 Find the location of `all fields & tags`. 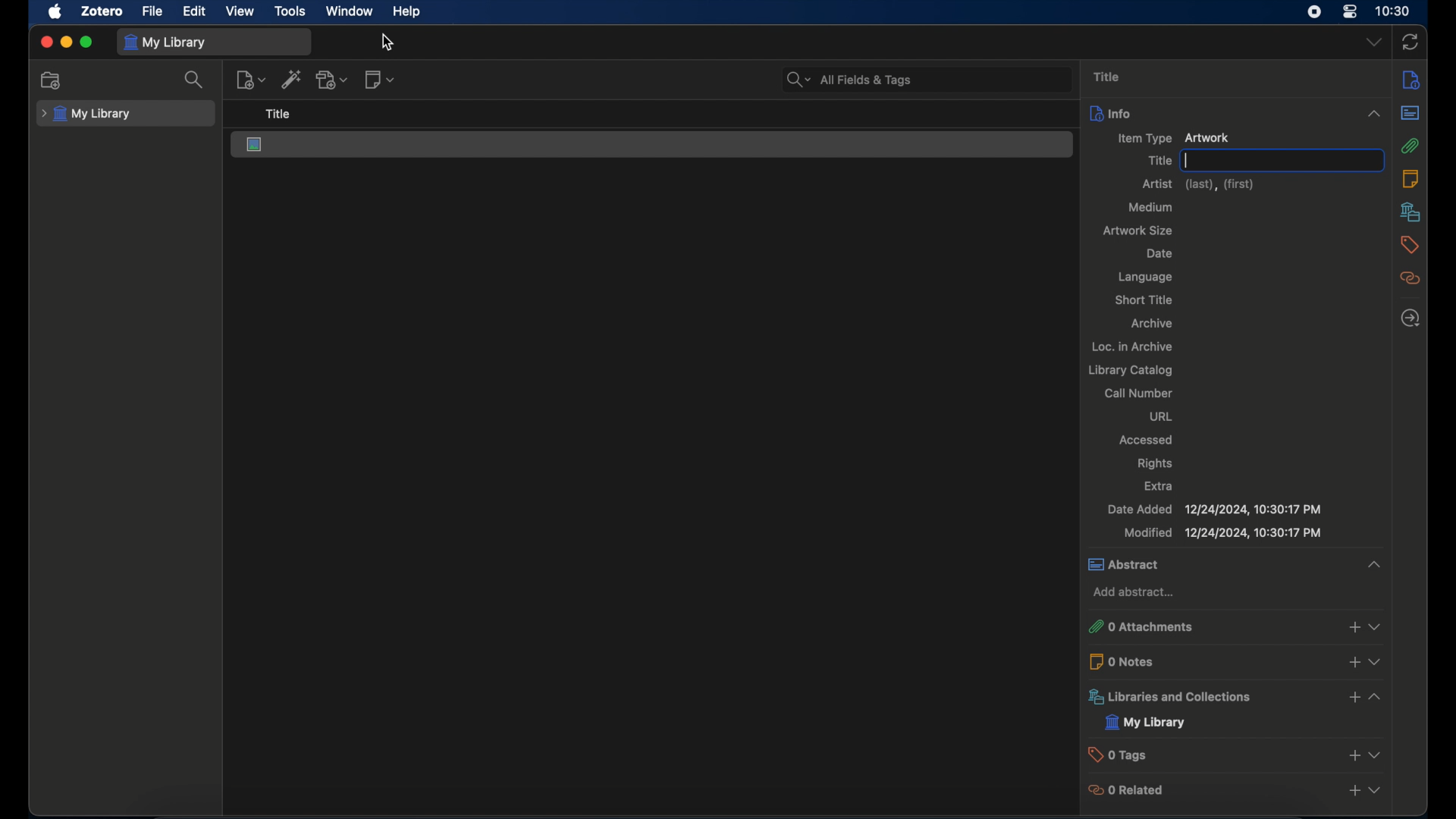

all fields & tags is located at coordinates (849, 79).